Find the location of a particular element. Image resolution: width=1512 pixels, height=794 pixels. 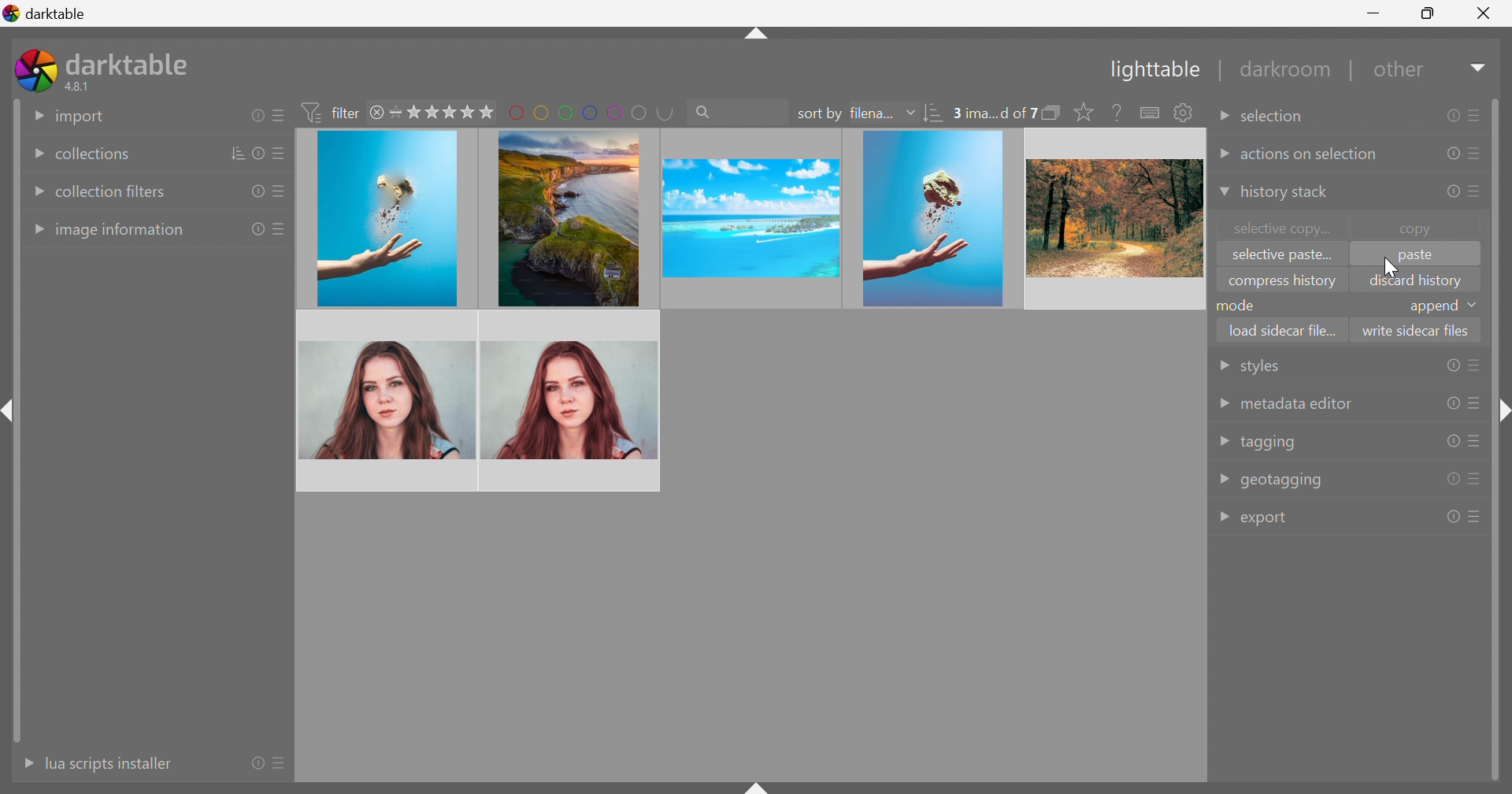

shift+ctrl+r is located at coordinates (1501, 414).